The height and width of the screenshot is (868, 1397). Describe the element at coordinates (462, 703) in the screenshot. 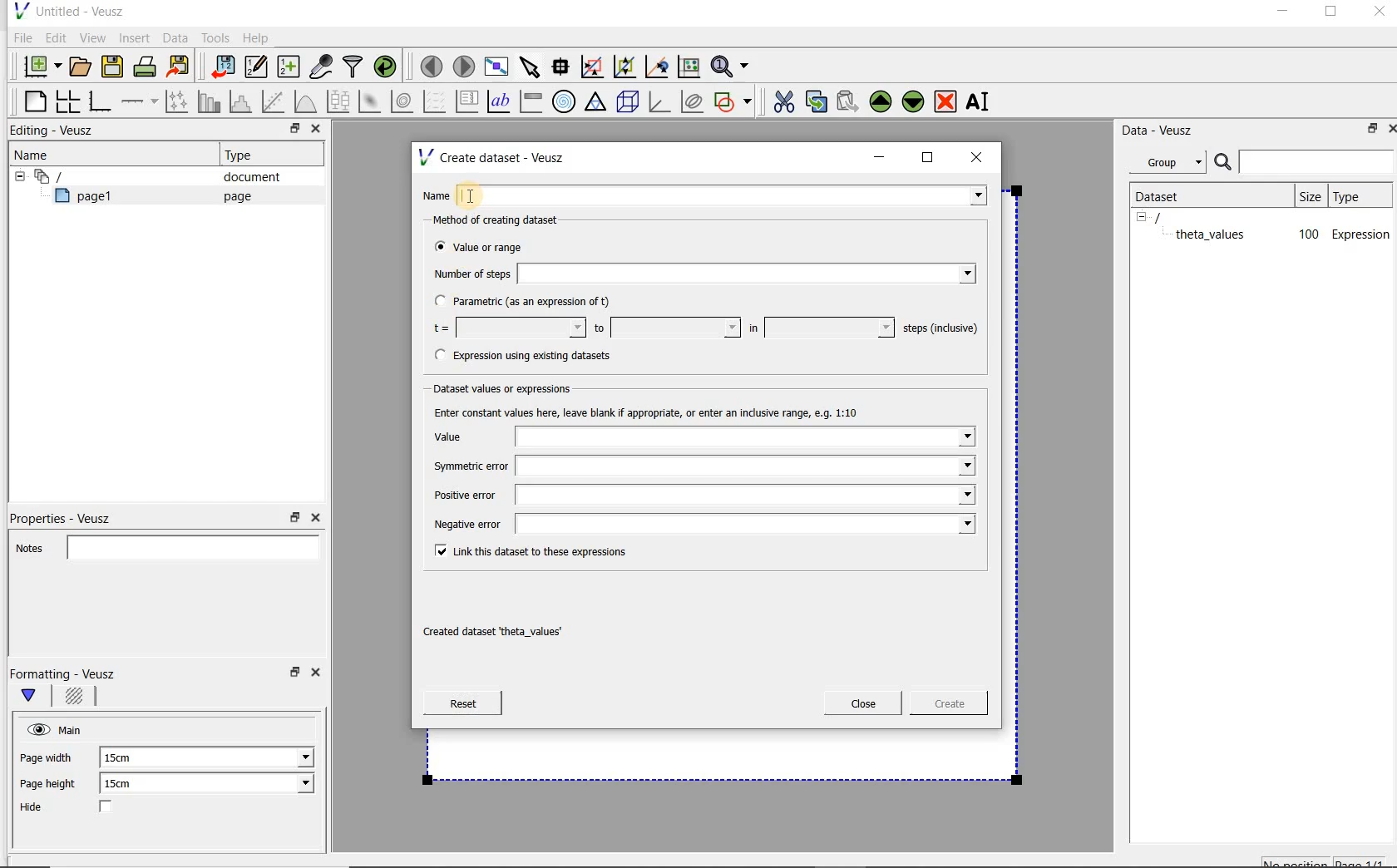

I see `Reset` at that location.